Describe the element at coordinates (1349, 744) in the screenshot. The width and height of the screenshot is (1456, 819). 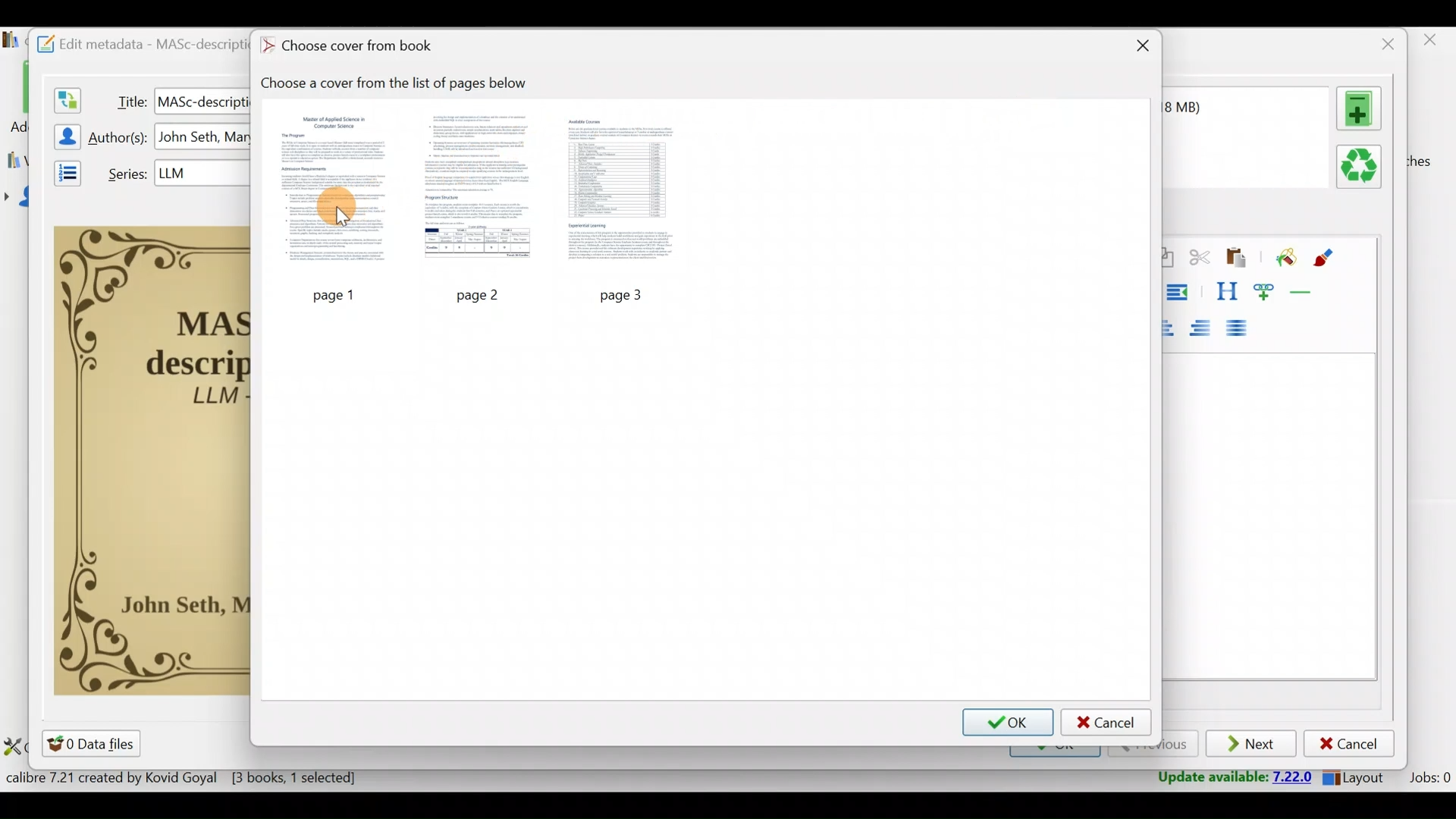
I see `Cancel` at that location.